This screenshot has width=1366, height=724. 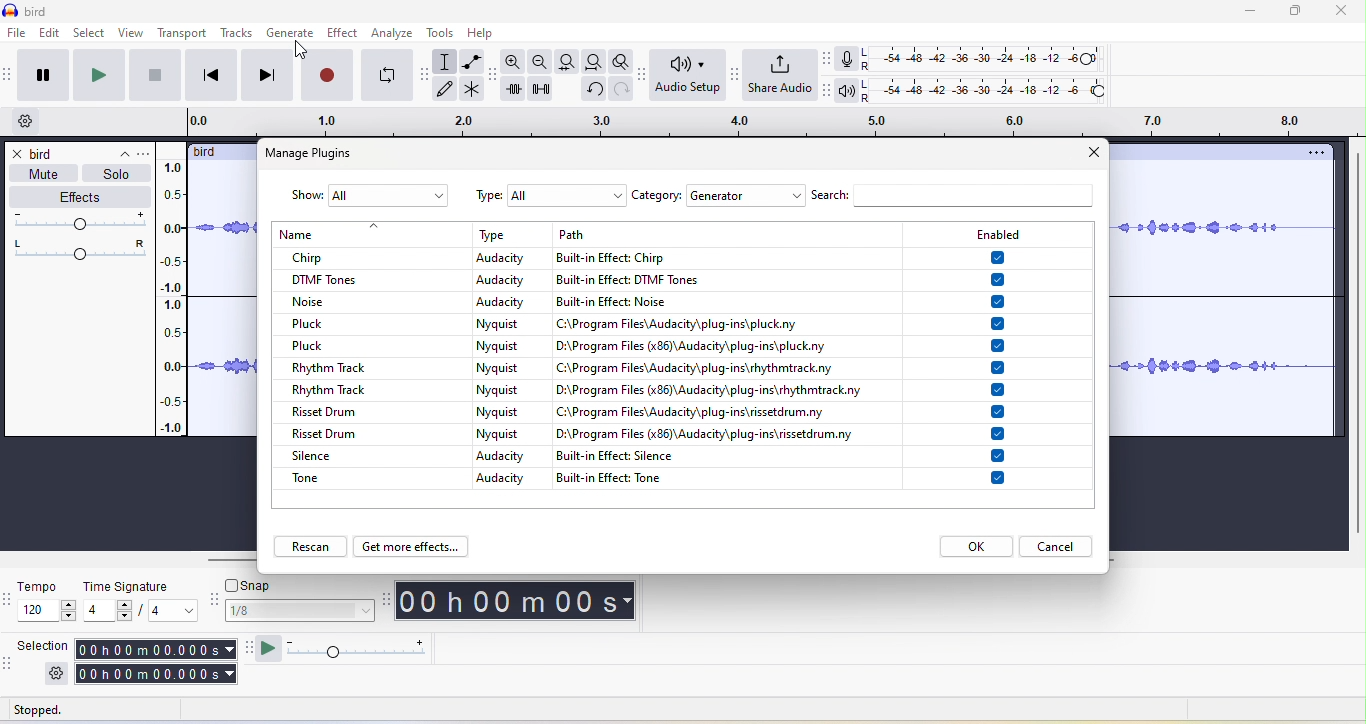 I want to click on path, so click(x=721, y=234).